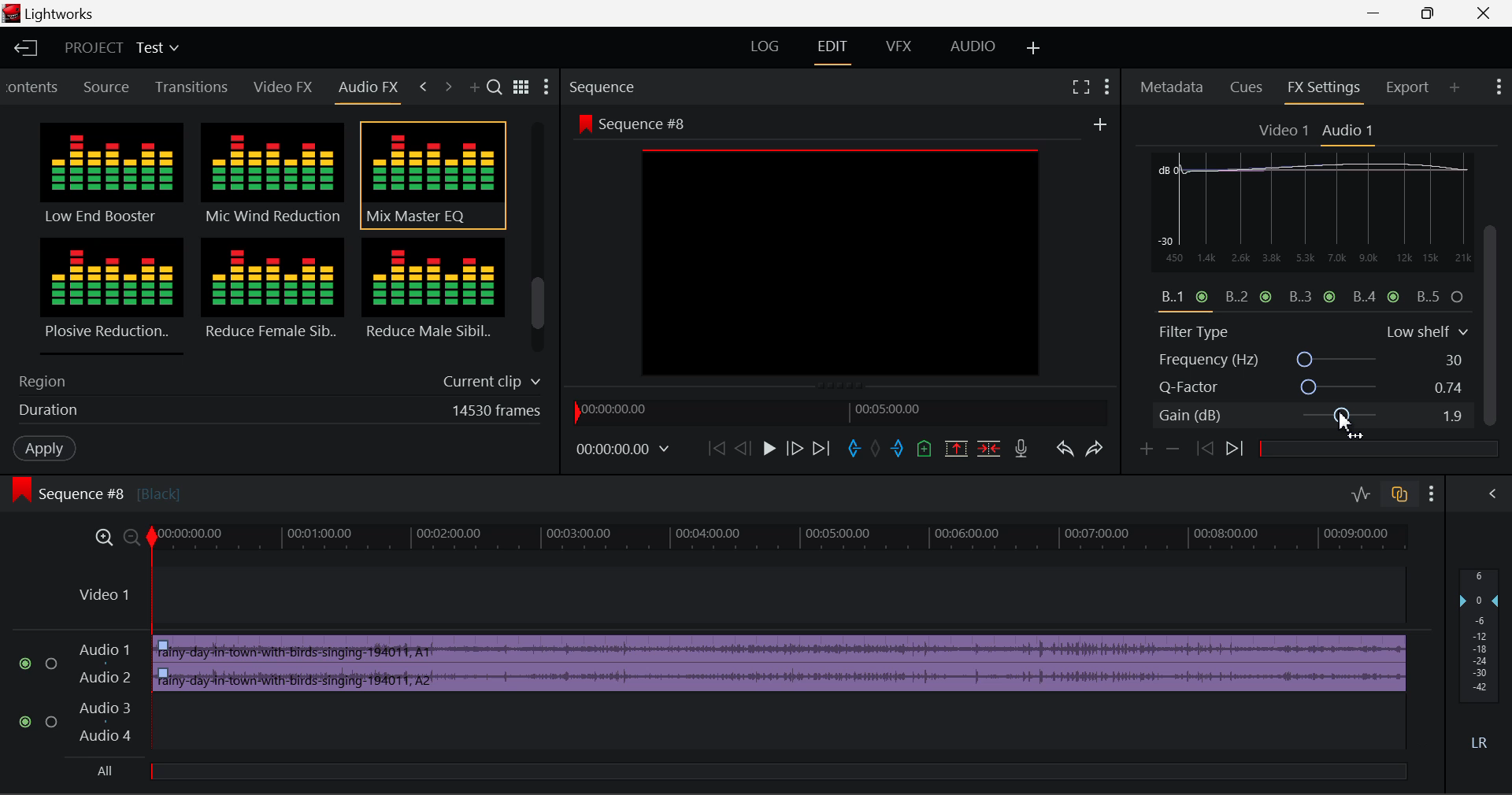  What do you see at coordinates (497, 88) in the screenshot?
I see `Search` at bounding box center [497, 88].